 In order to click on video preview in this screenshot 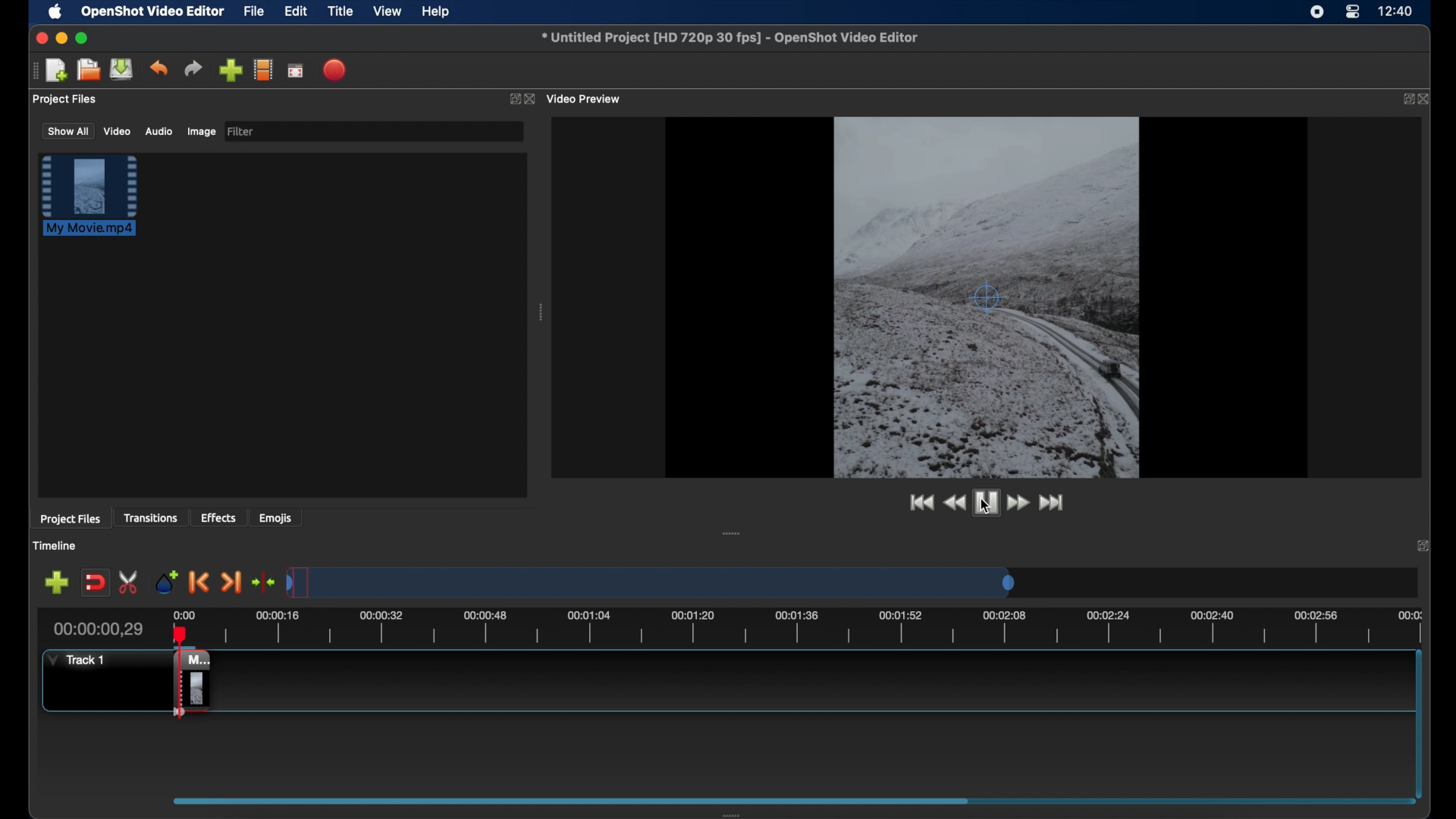, I will do `click(585, 99)`.